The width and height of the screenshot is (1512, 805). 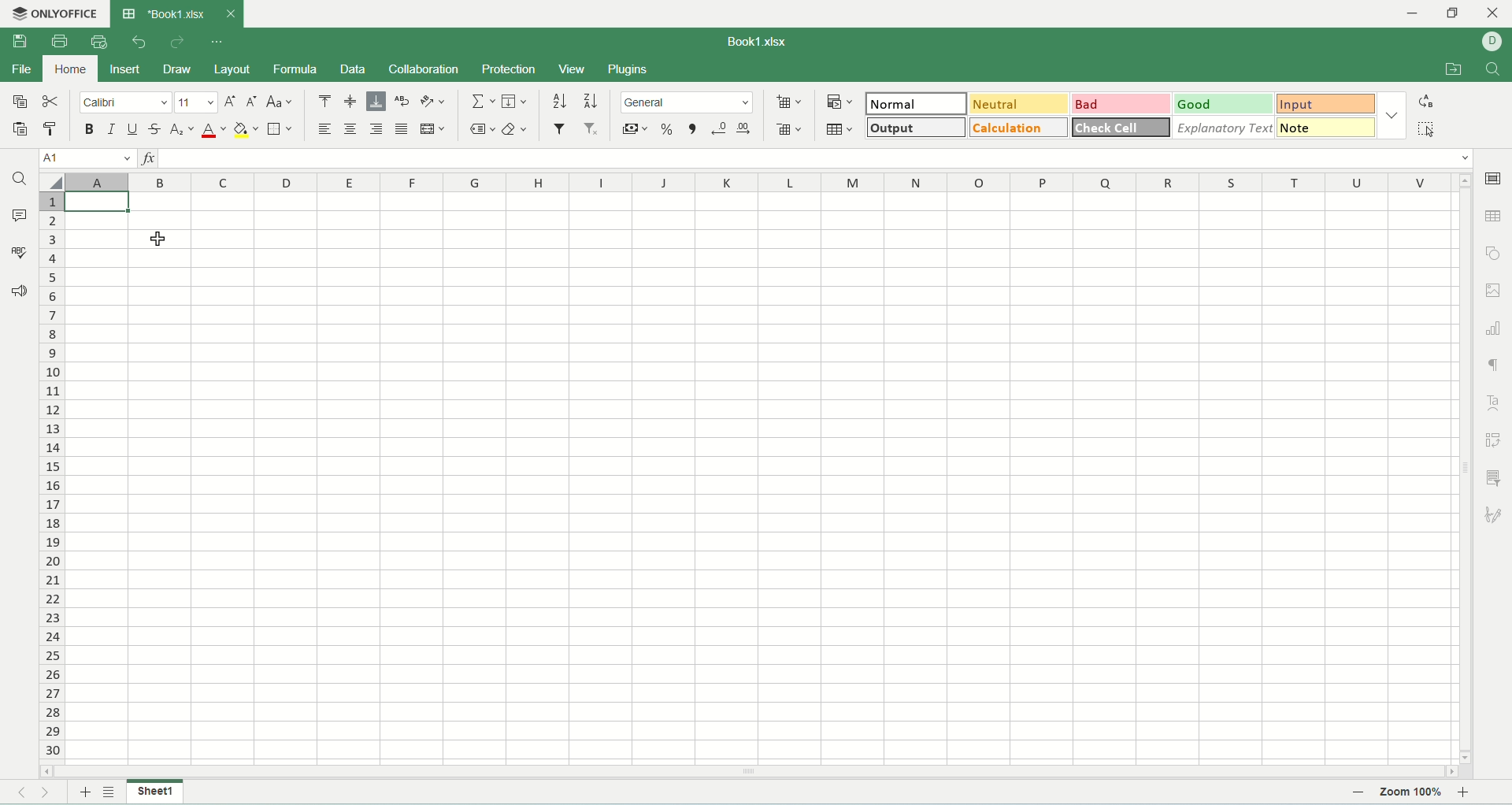 I want to click on collaboration, so click(x=424, y=69).